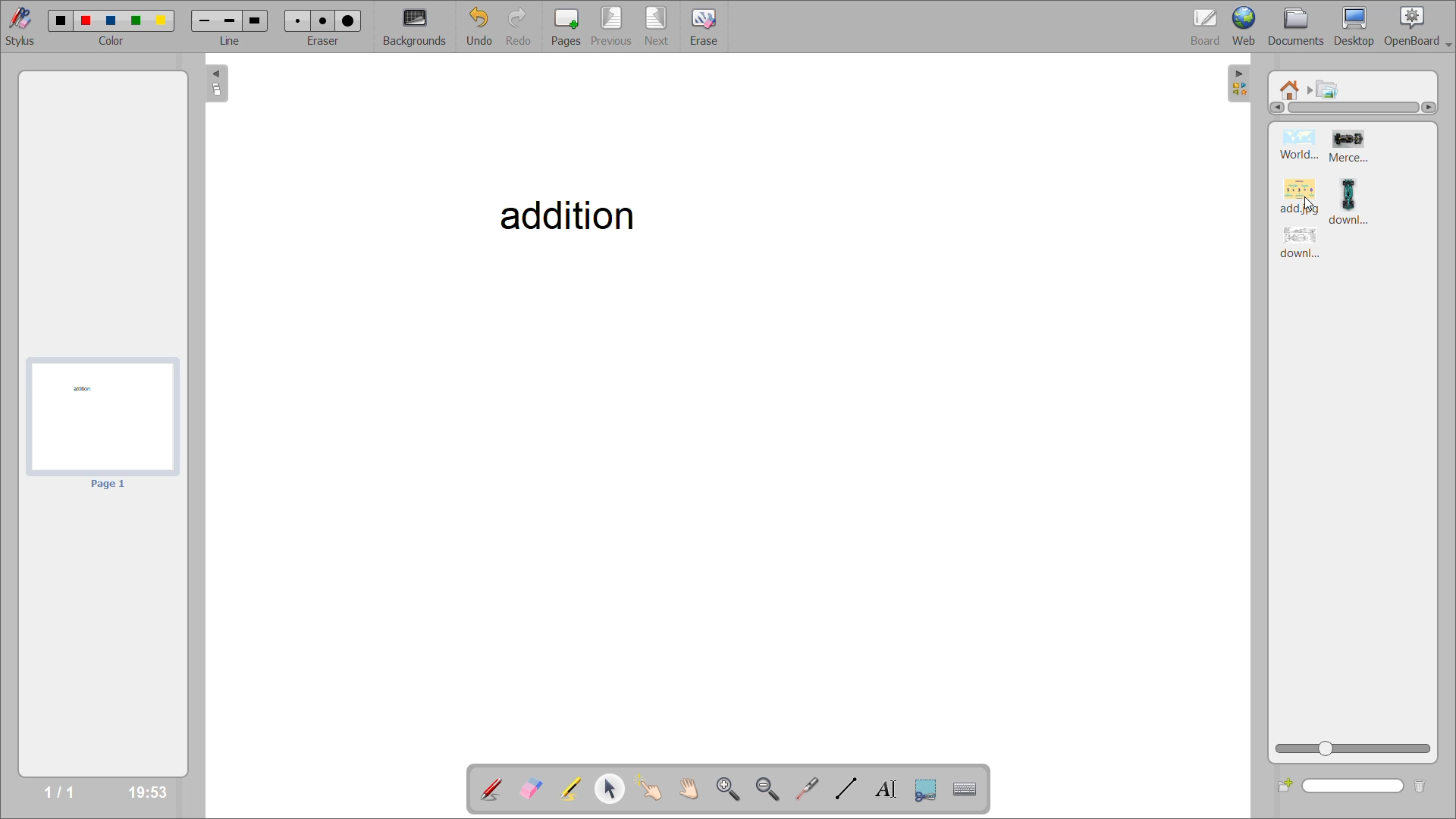 This screenshot has width=1456, height=819. What do you see at coordinates (1240, 85) in the screenshot?
I see `hide sidebar` at bounding box center [1240, 85].